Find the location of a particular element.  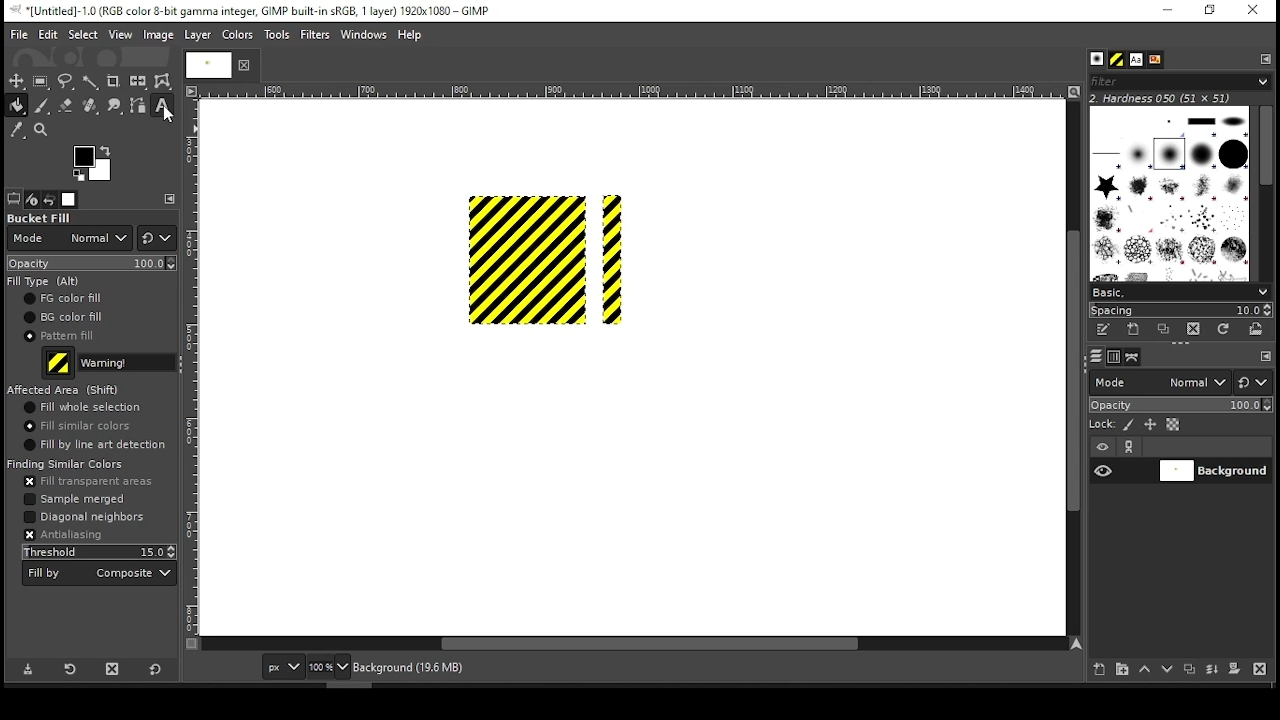

layer visibility is located at coordinates (1103, 447).